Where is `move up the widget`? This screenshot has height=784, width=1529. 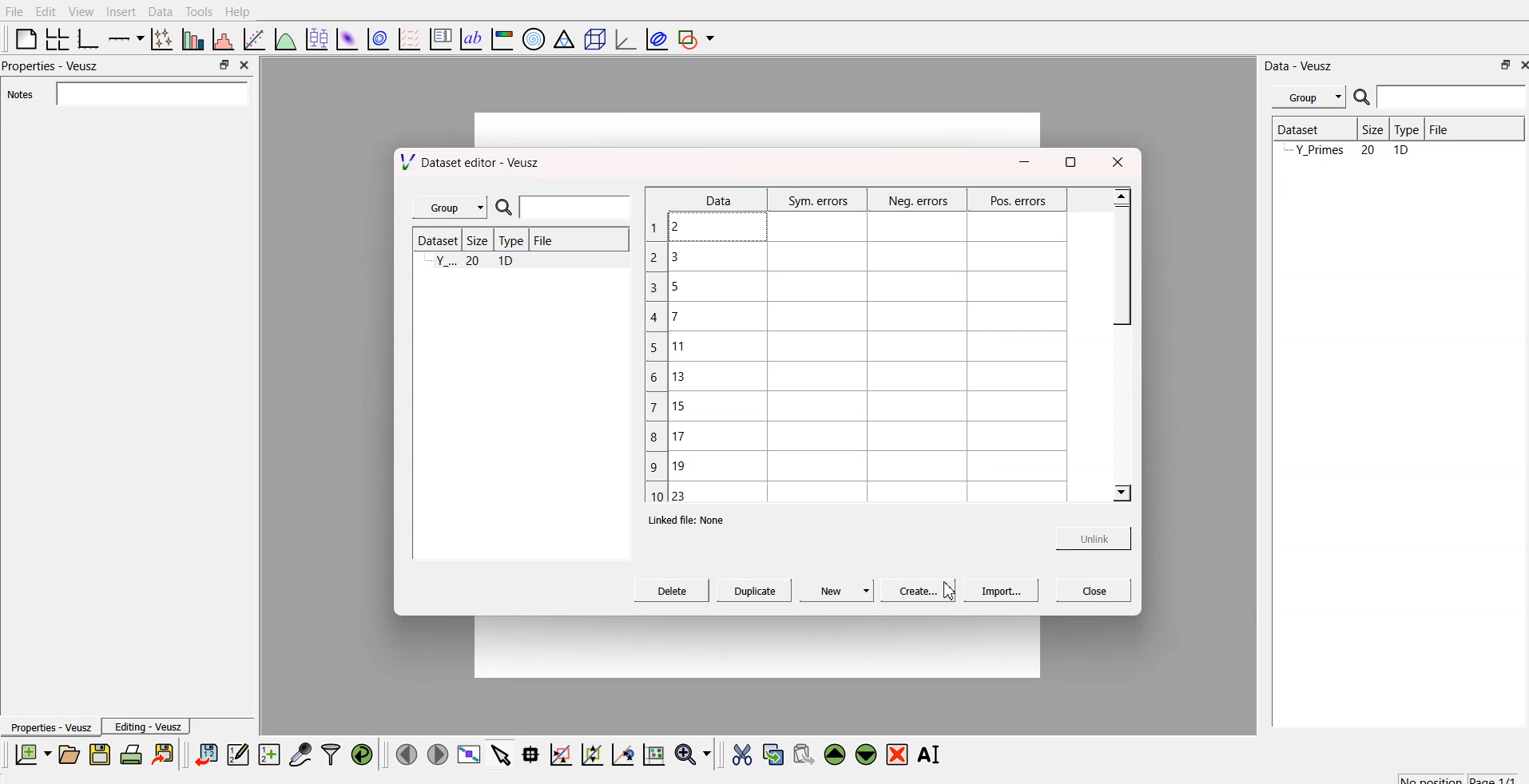 move up the widget is located at coordinates (833, 754).